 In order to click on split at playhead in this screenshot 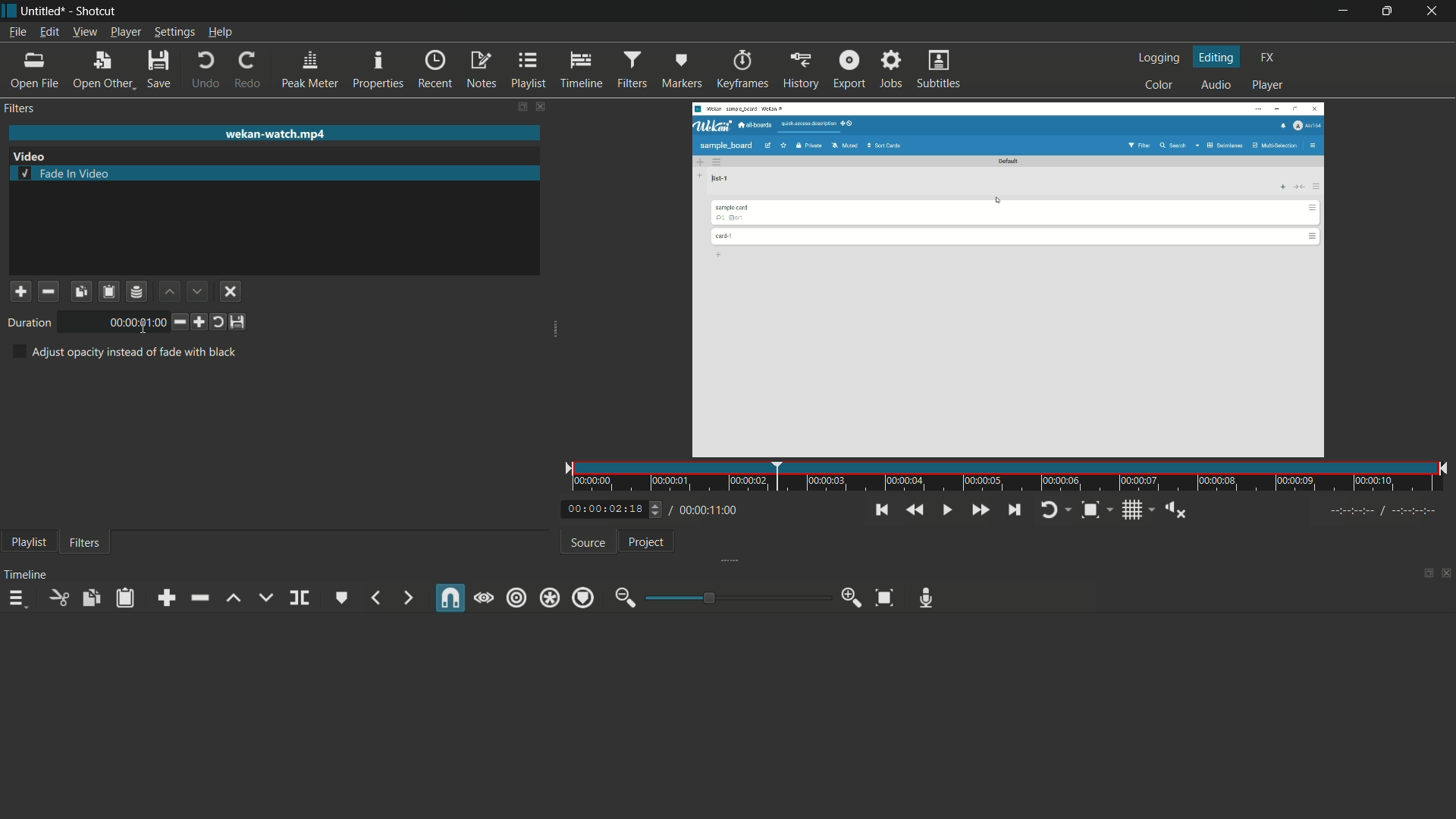, I will do `click(300, 598)`.